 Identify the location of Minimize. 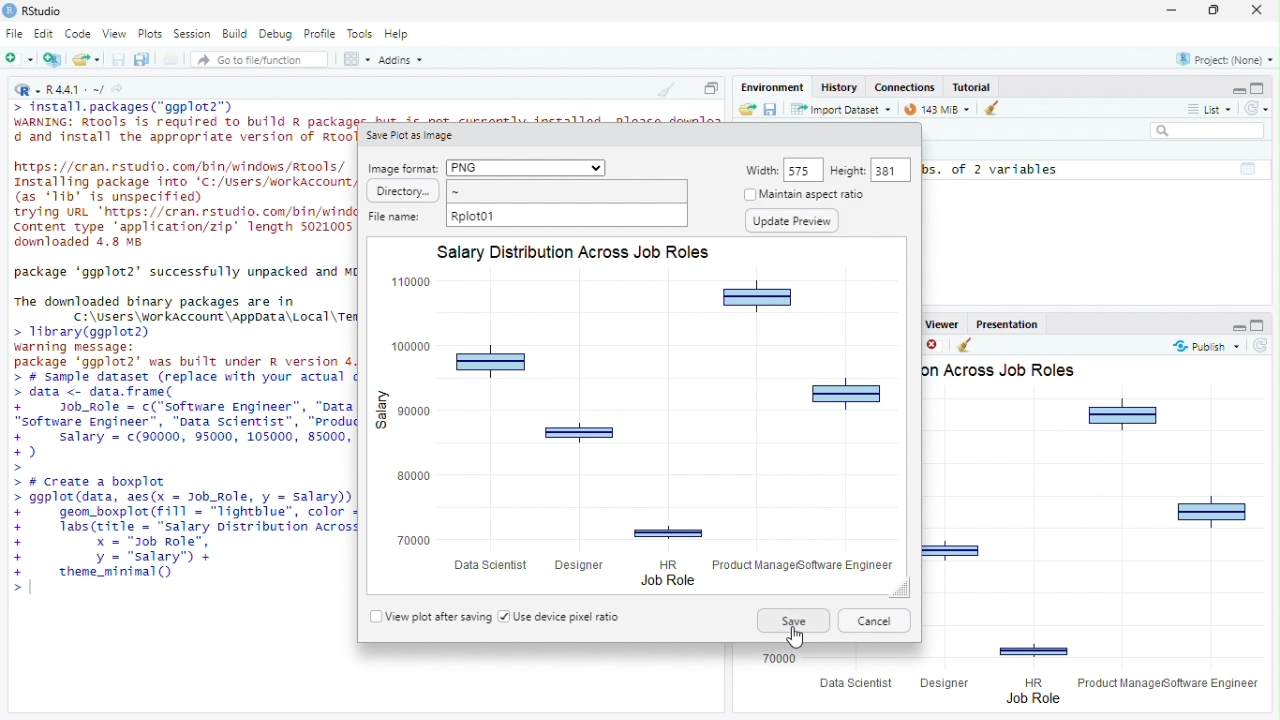
(1233, 87).